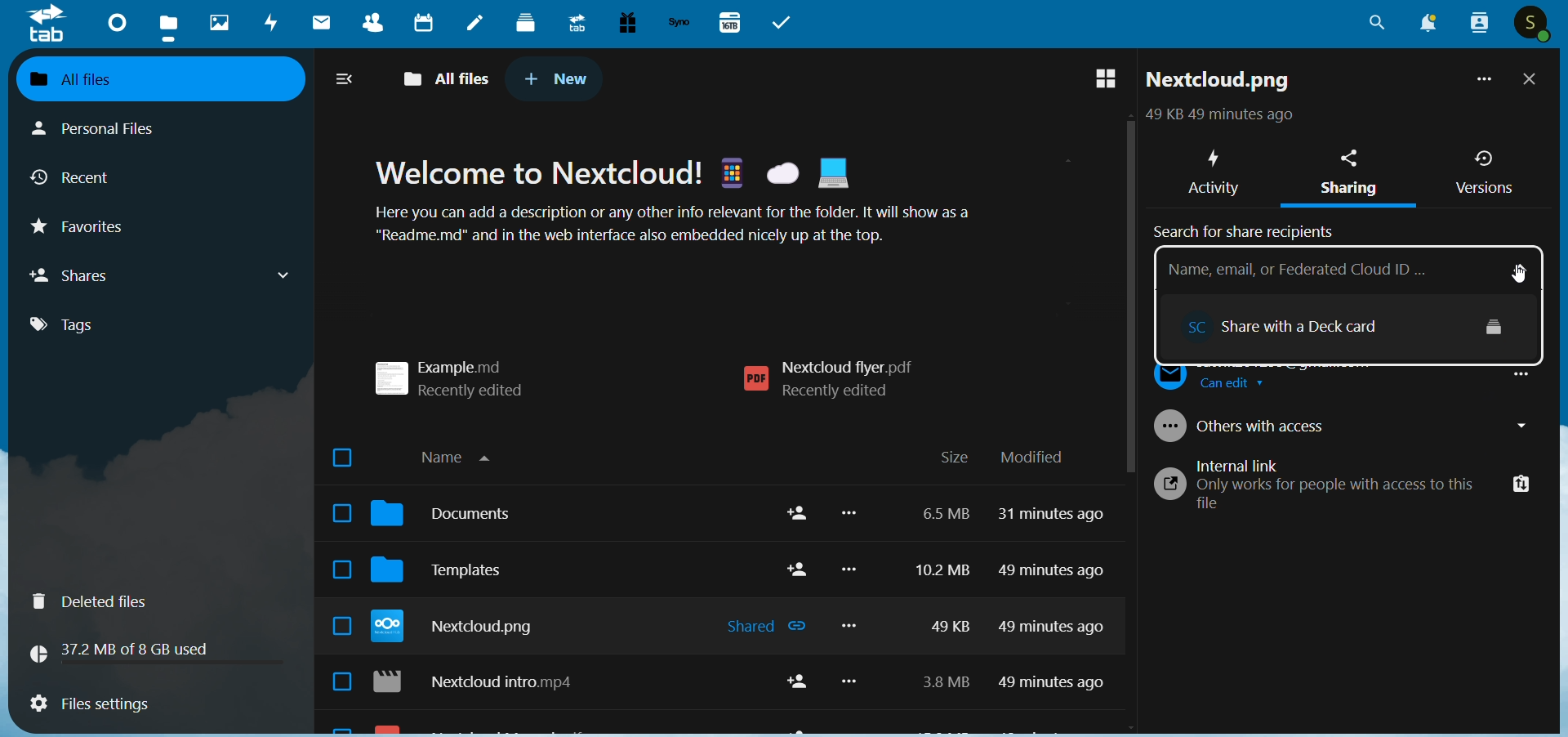  What do you see at coordinates (679, 23) in the screenshot?
I see `synology` at bounding box center [679, 23].